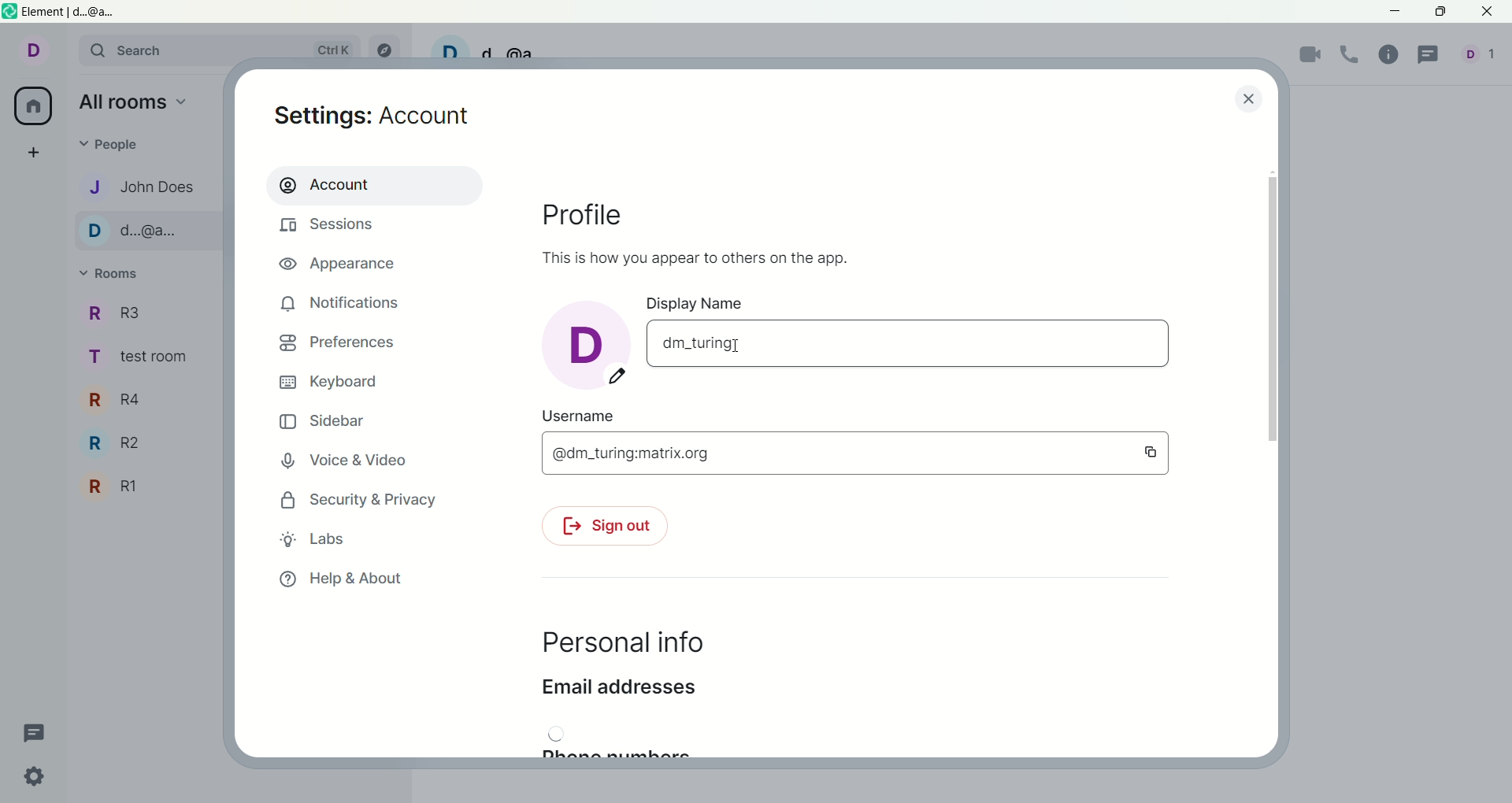  What do you see at coordinates (42, 54) in the screenshot?
I see `account` at bounding box center [42, 54].